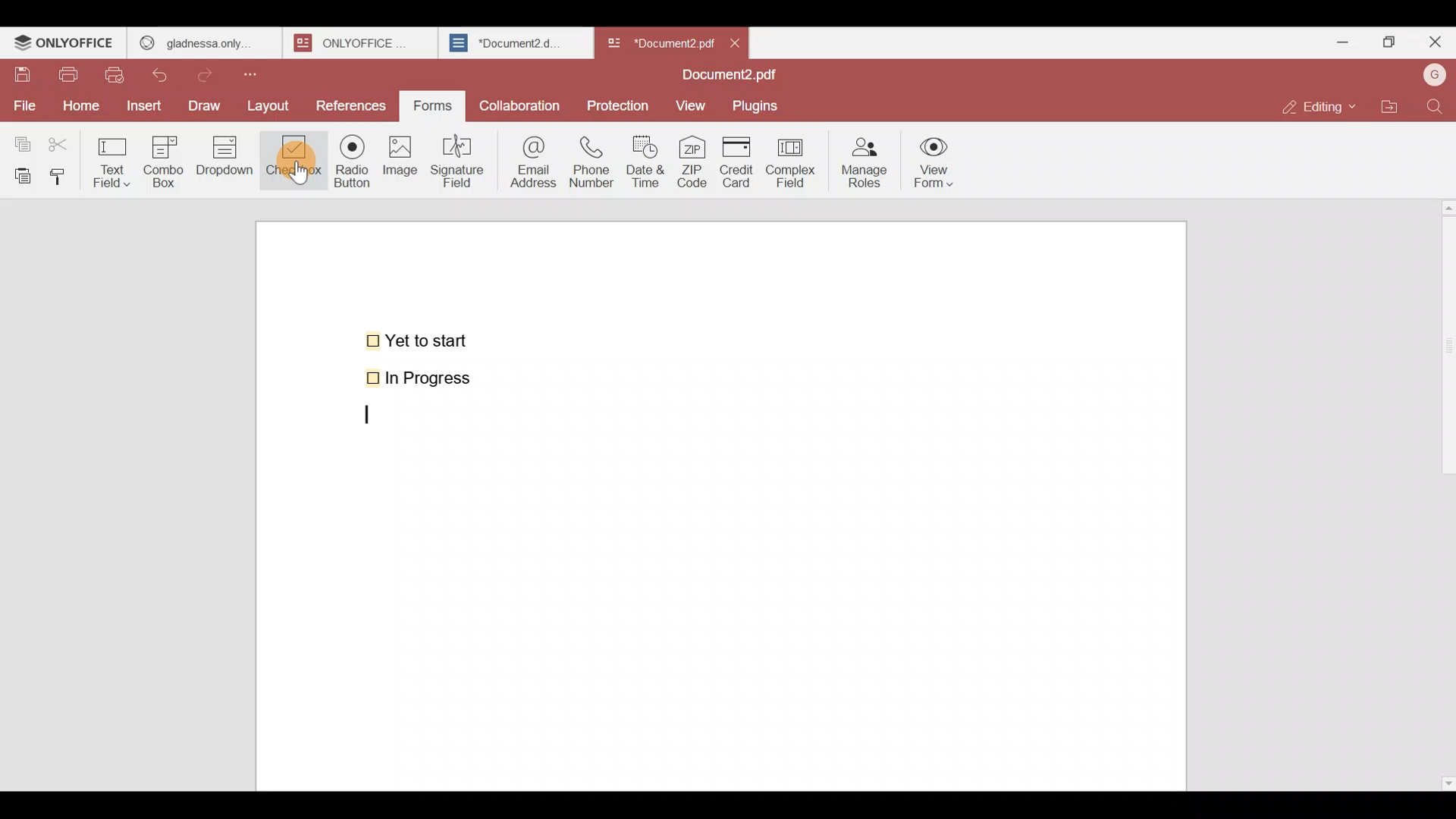 This screenshot has height=819, width=1456. I want to click on Save, so click(22, 75).